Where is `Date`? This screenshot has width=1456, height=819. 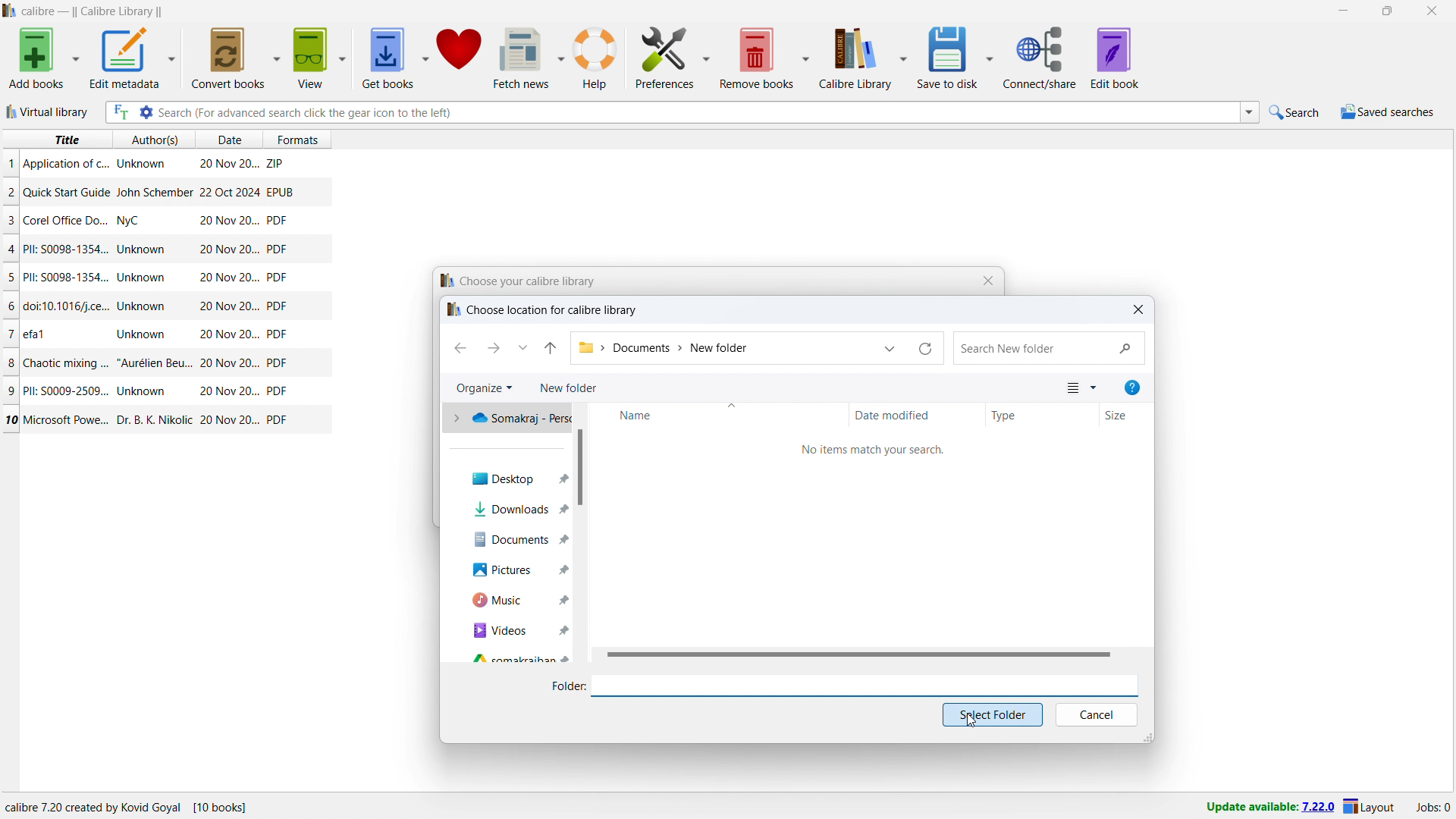 Date is located at coordinates (229, 249).